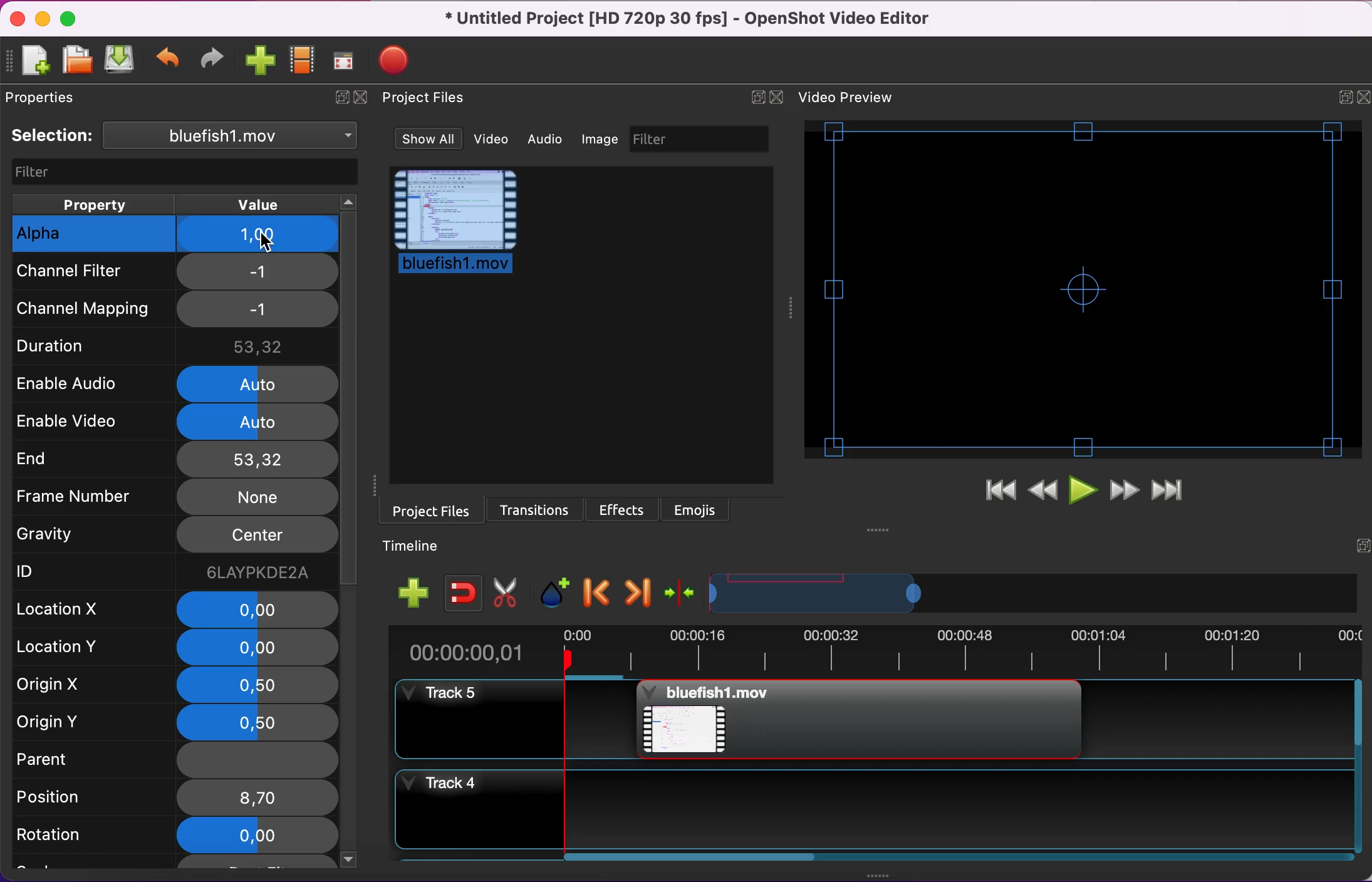 The image size is (1372, 882). Describe the element at coordinates (46, 101) in the screenshot. I see `properties` at that location.